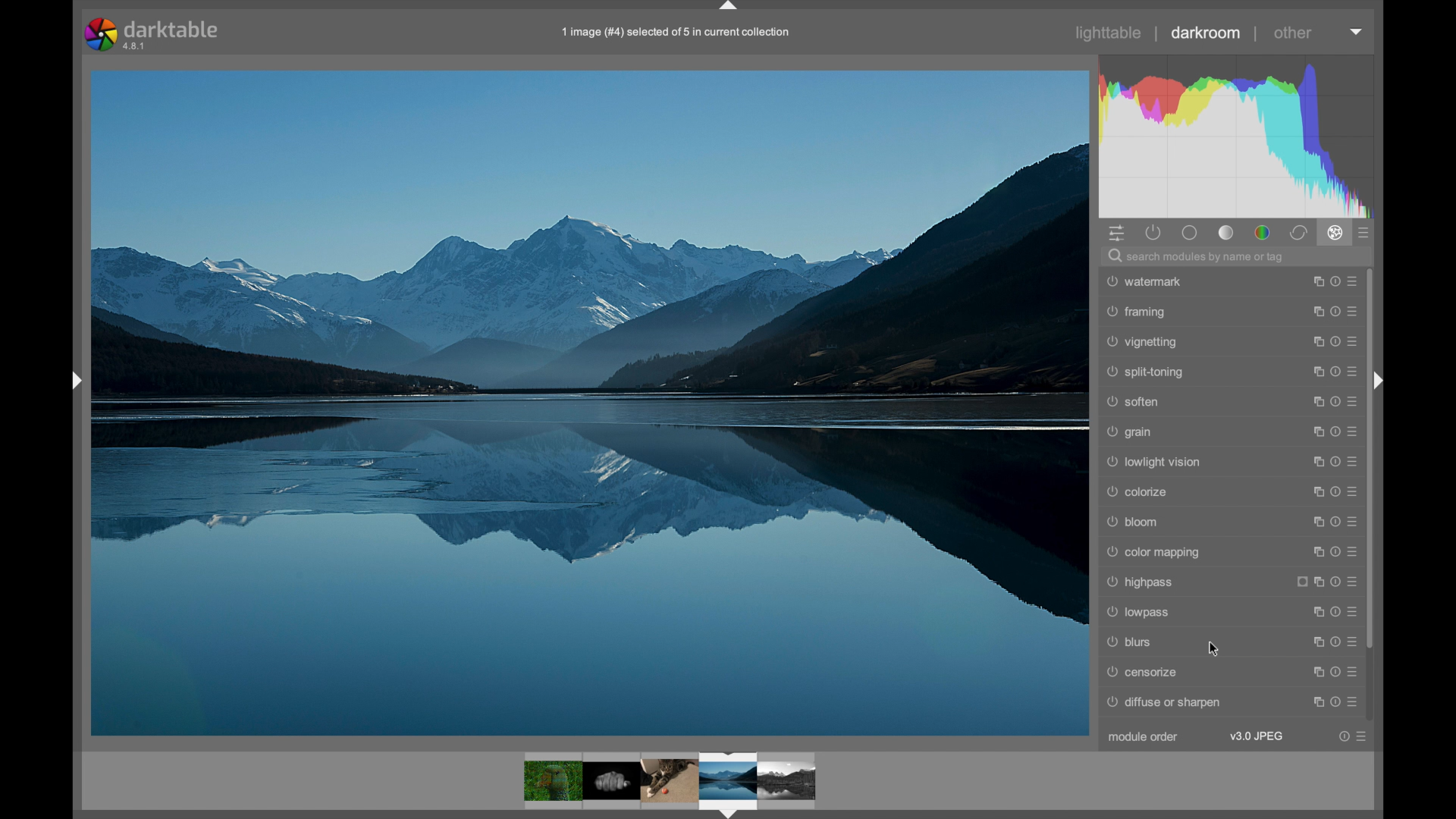 Image resolution: width=1456 pixels, height=819 pixels. What do you see at coordinates (1354, 583) in the screenshot?
I see `more options` at bounding box center [1354, 583].